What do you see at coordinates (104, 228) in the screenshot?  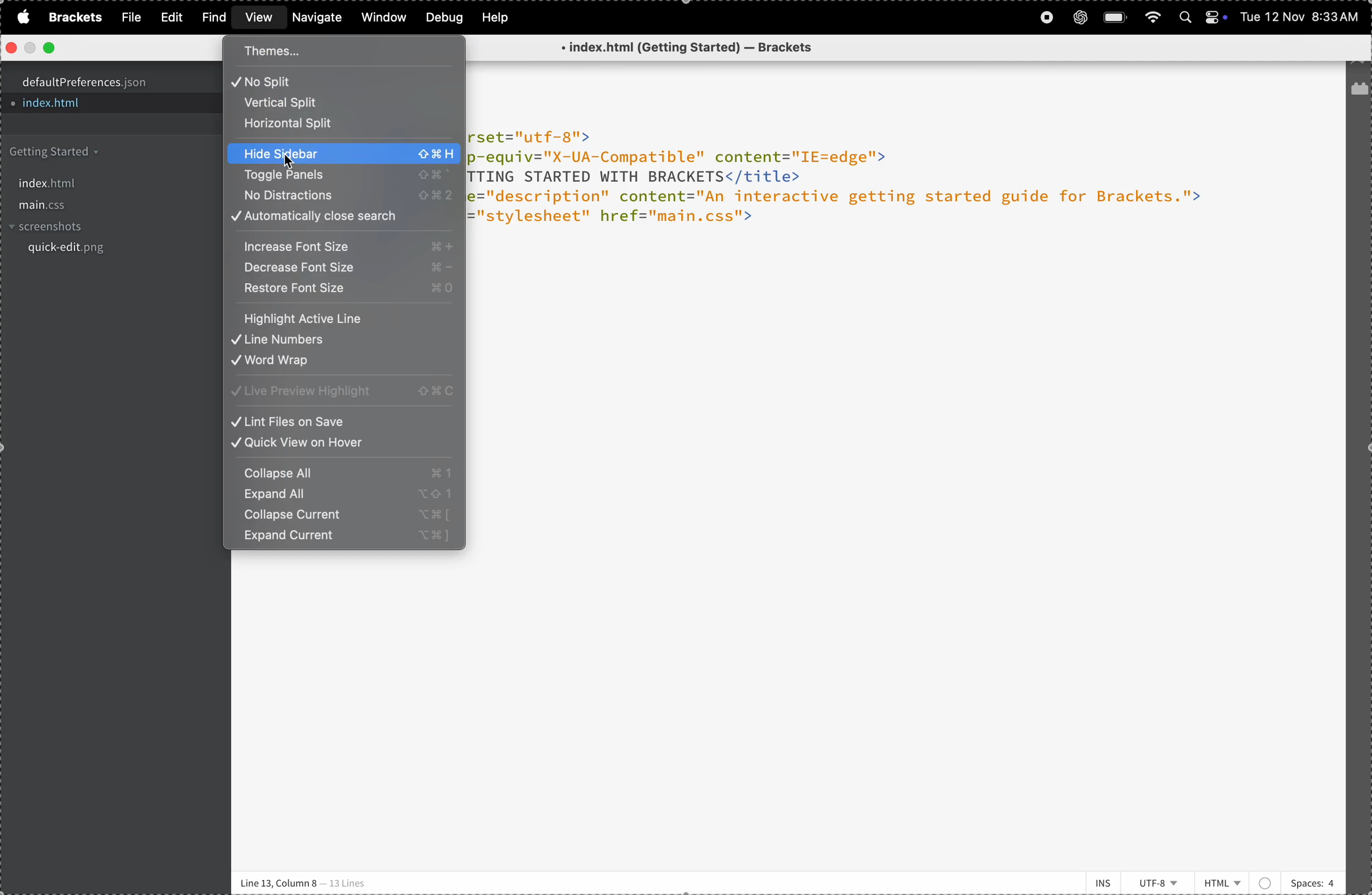 I see `screenshots` at bounding box center [104, 228].